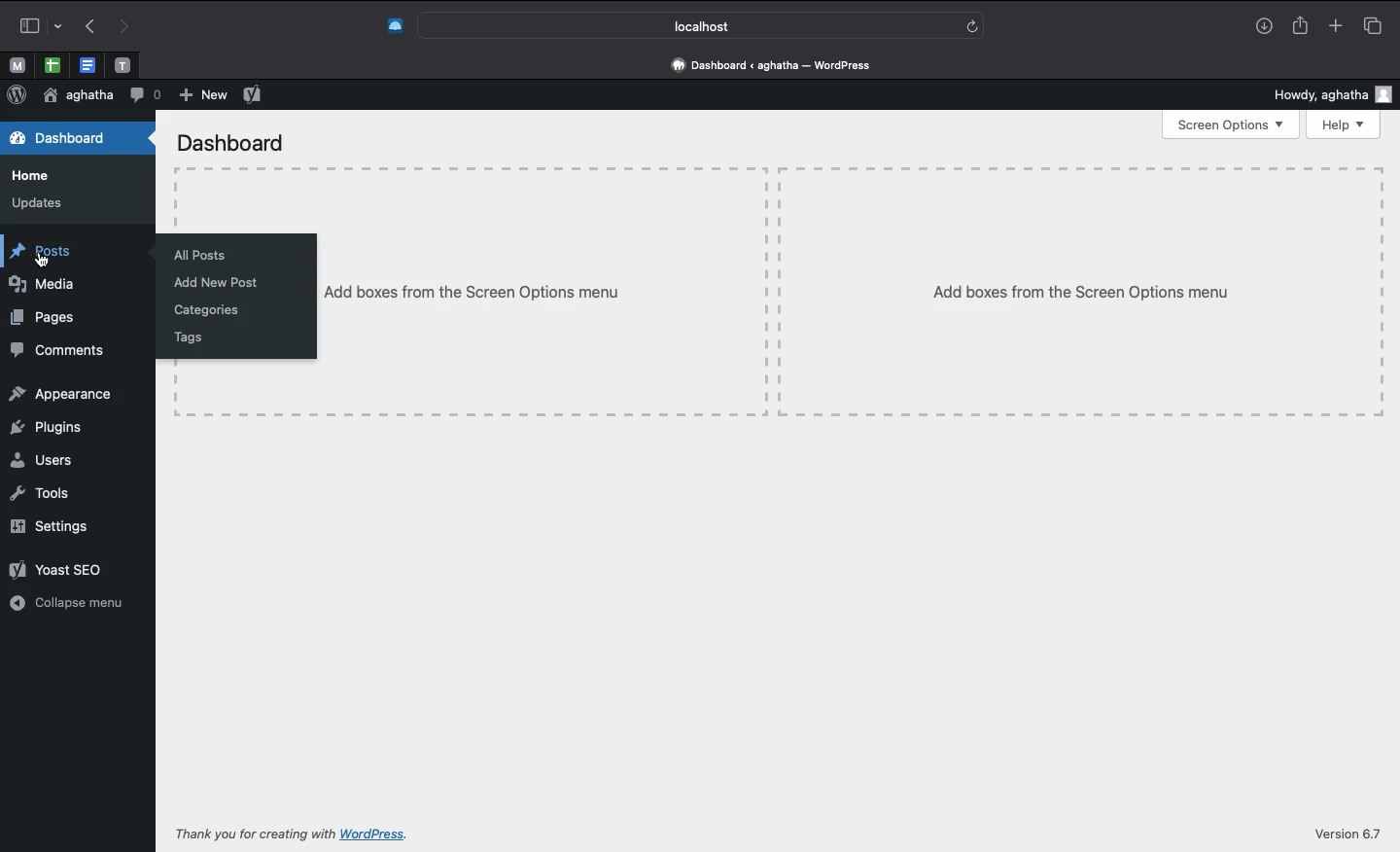  What do you see at coordinates (178, 339) in the screenshot?
I see `Tags` at bounding box center [178, 339].